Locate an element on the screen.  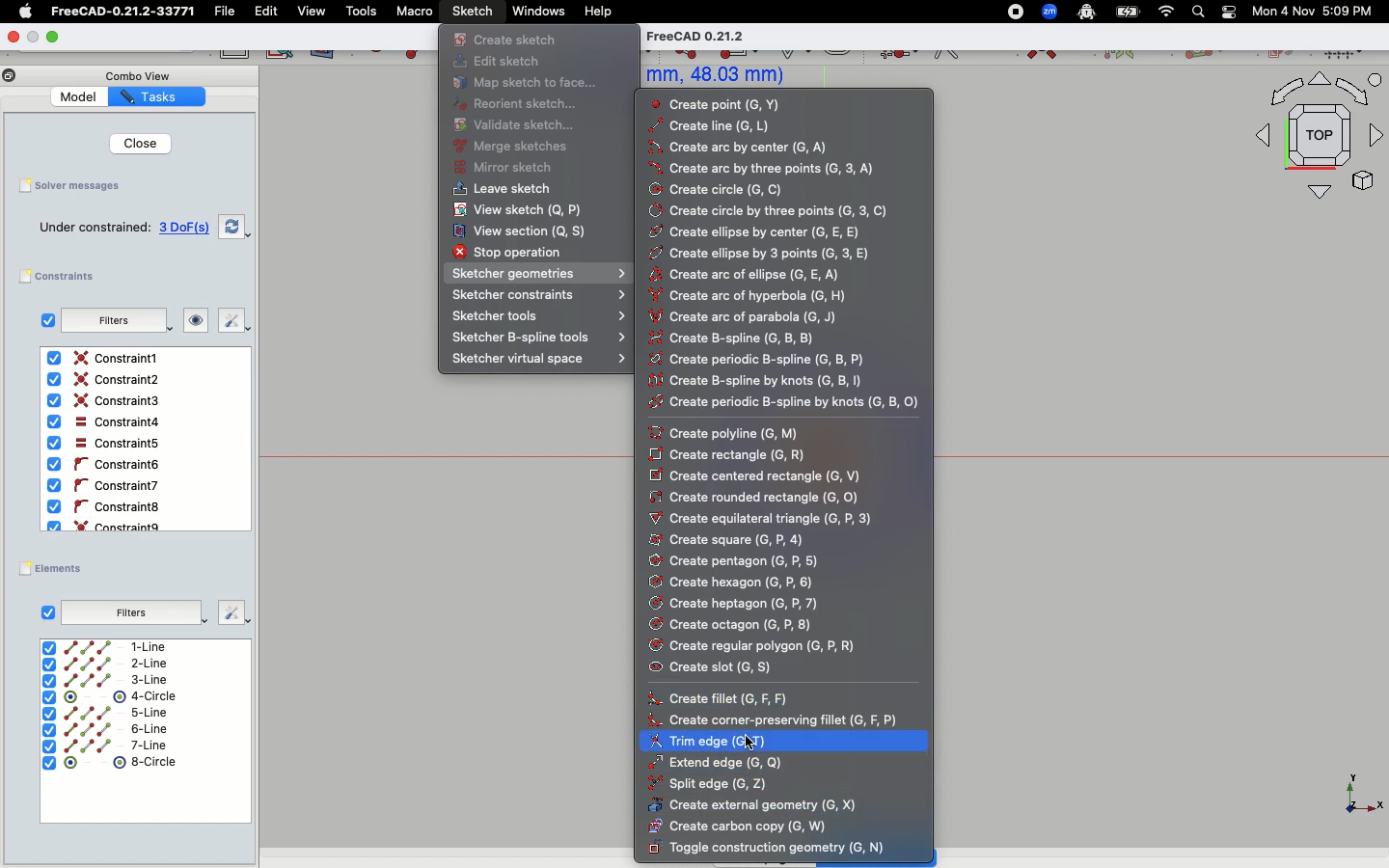
Create rectangle is located at coordinates (725, 456).